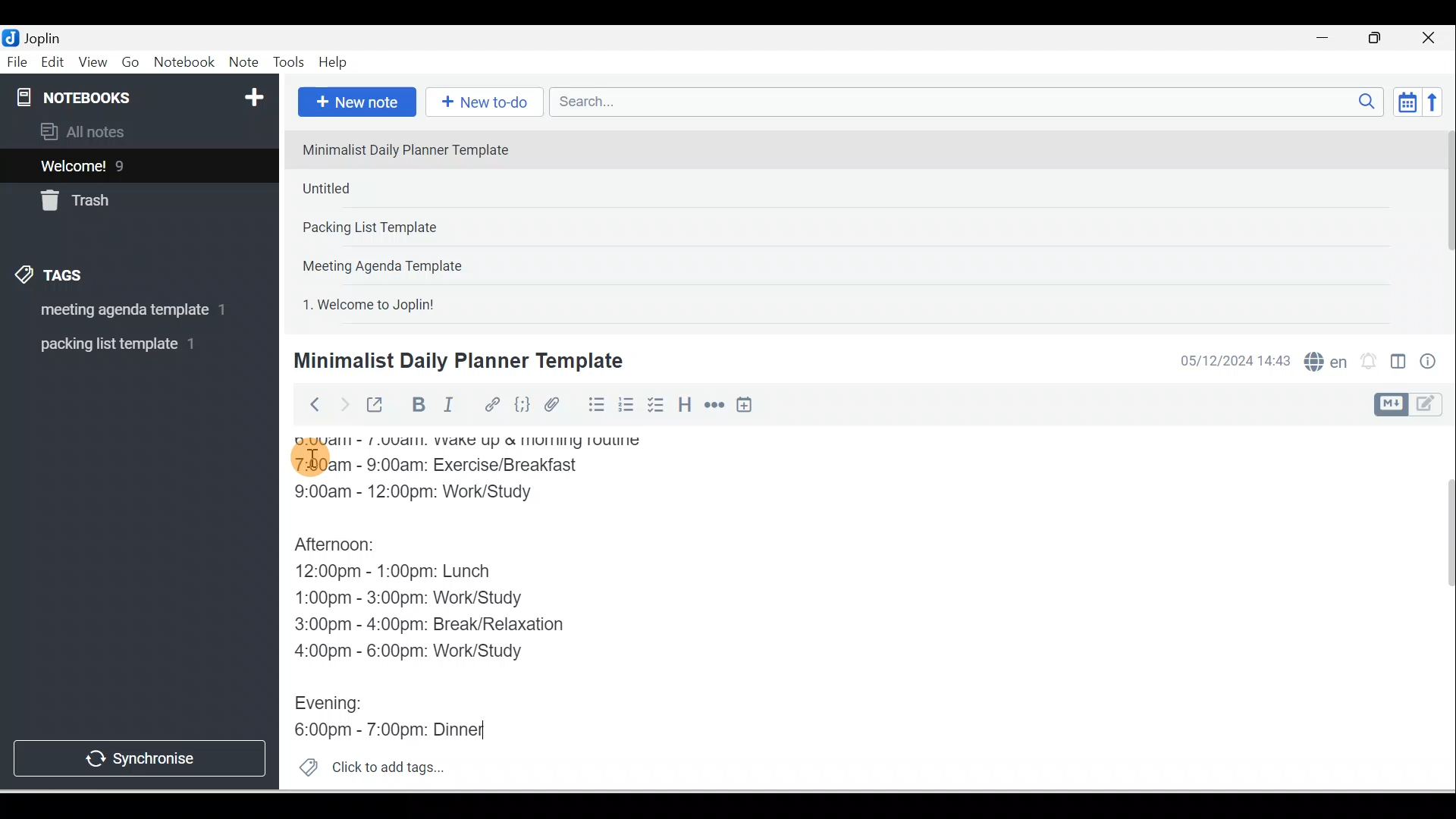 The image size is (1456, 819). What do you see at coordinates (93, 63) in the screenshot?
I see `View` at bounding box center [93, 63].